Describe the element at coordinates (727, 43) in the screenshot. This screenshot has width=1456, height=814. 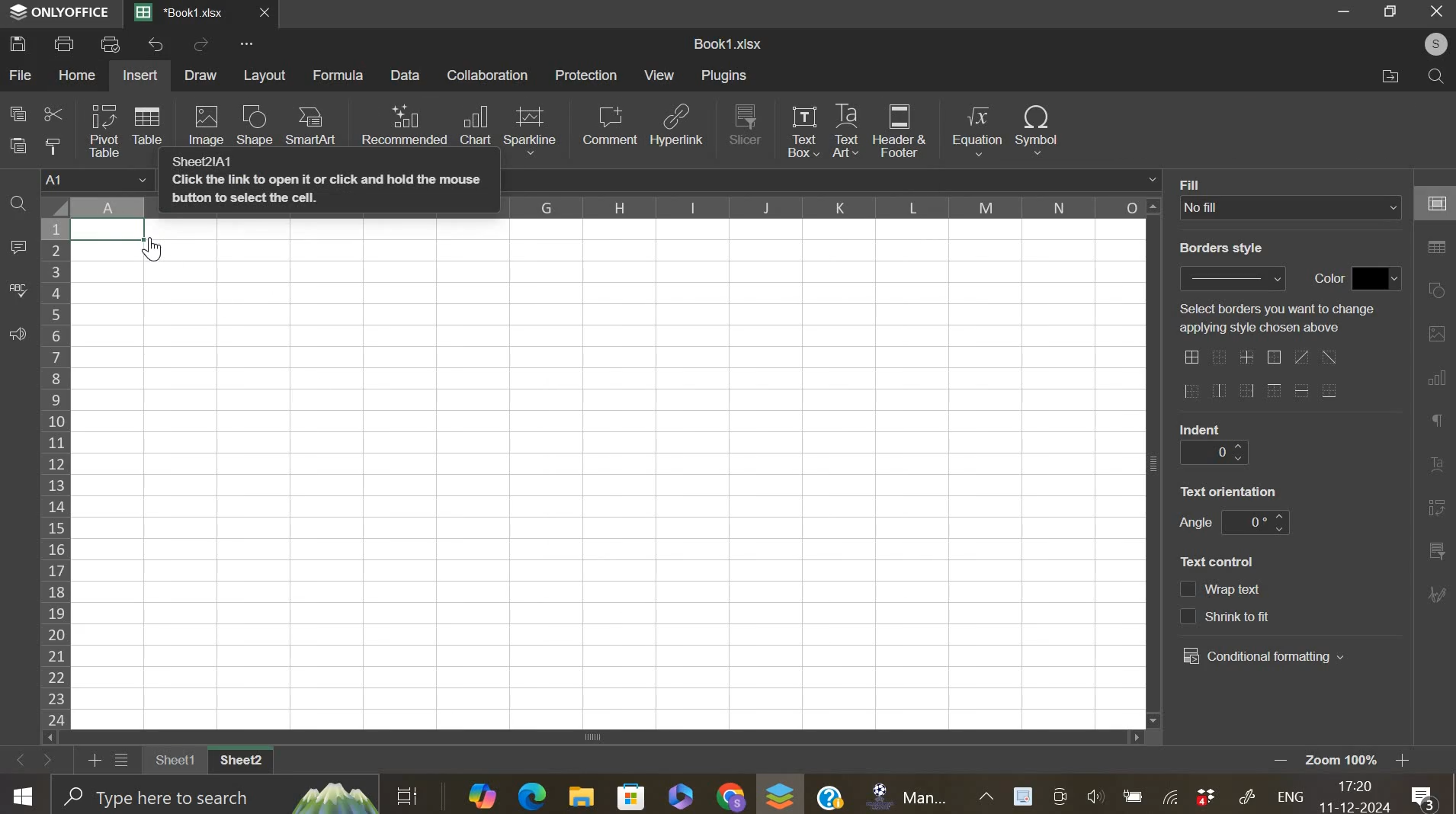
I see `spreadsheet name` at that location.